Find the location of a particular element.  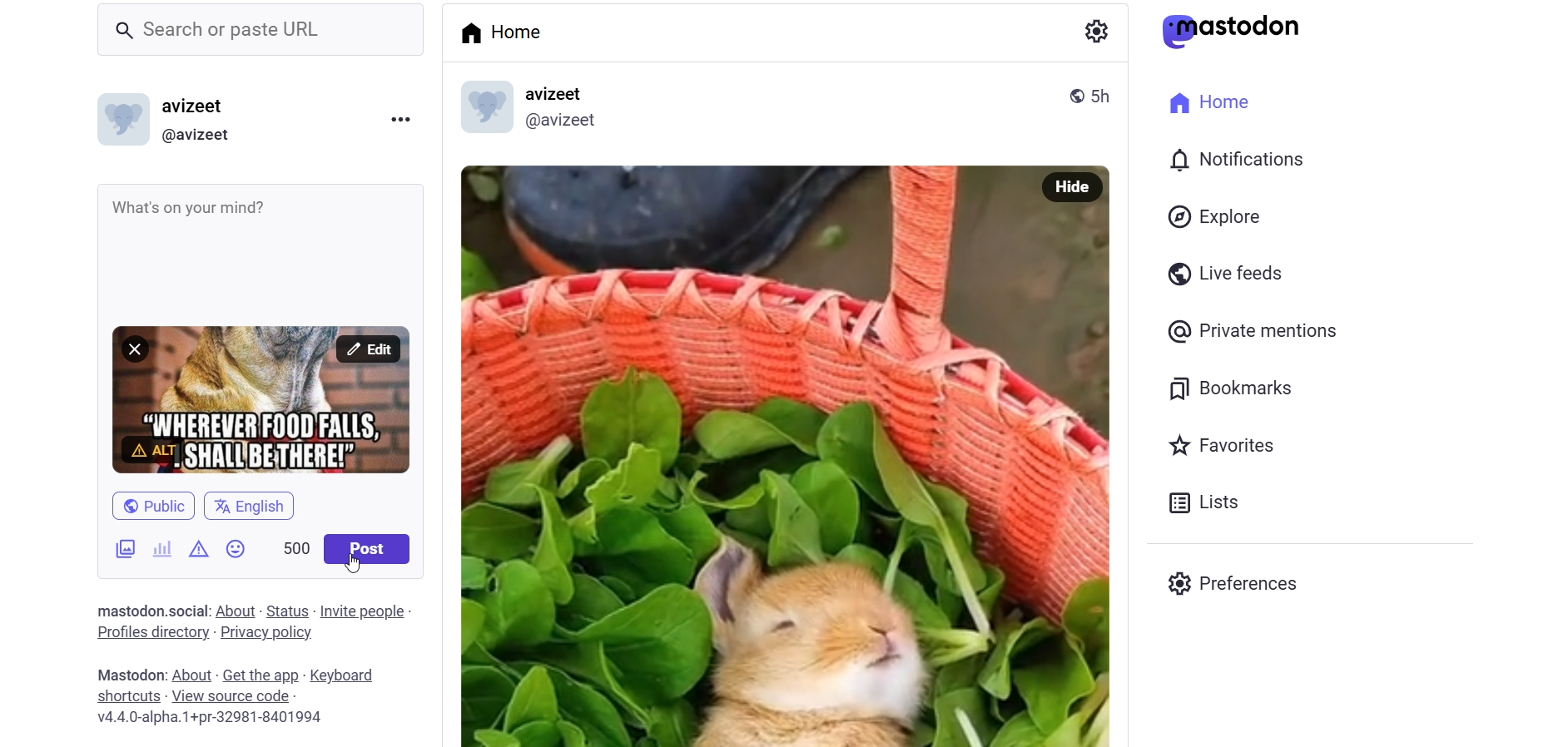

search is located at coordinates (256, 27).